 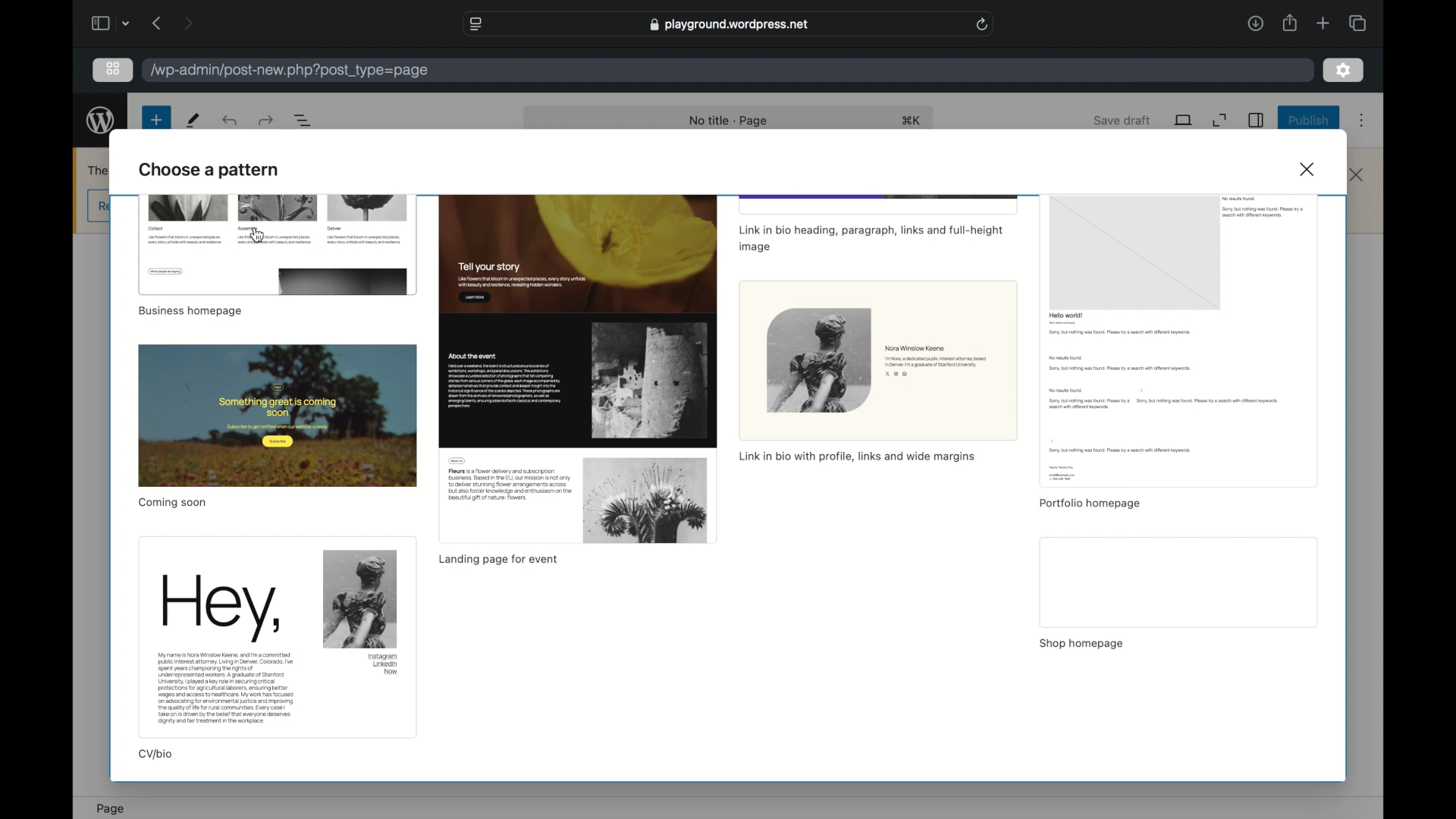 What do you see at coordinates (127, 23) in the screenshot?
I see `dropdown` at bounding box center [127, 23].